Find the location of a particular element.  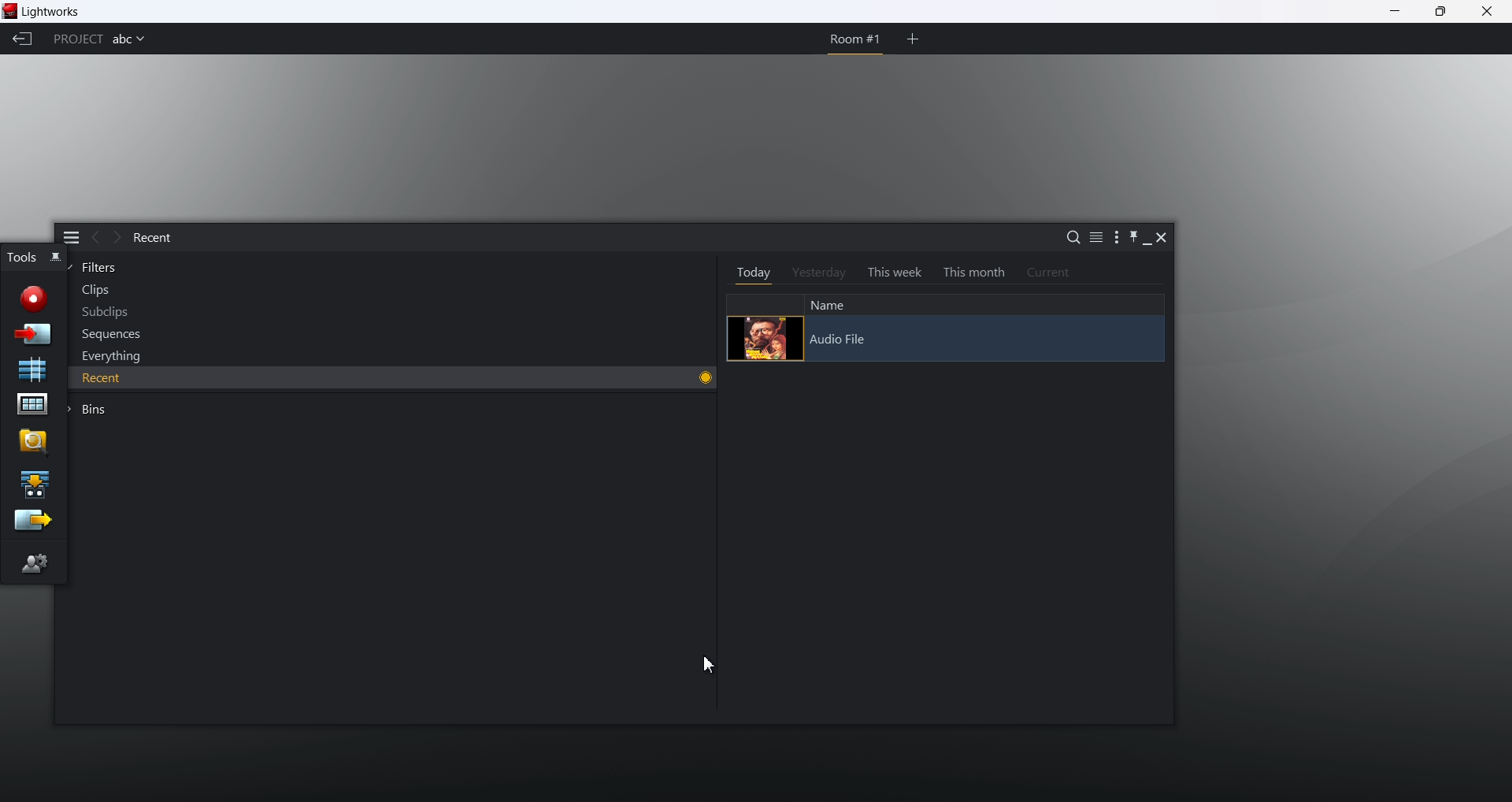

recent is located at coordinates (151, 239).